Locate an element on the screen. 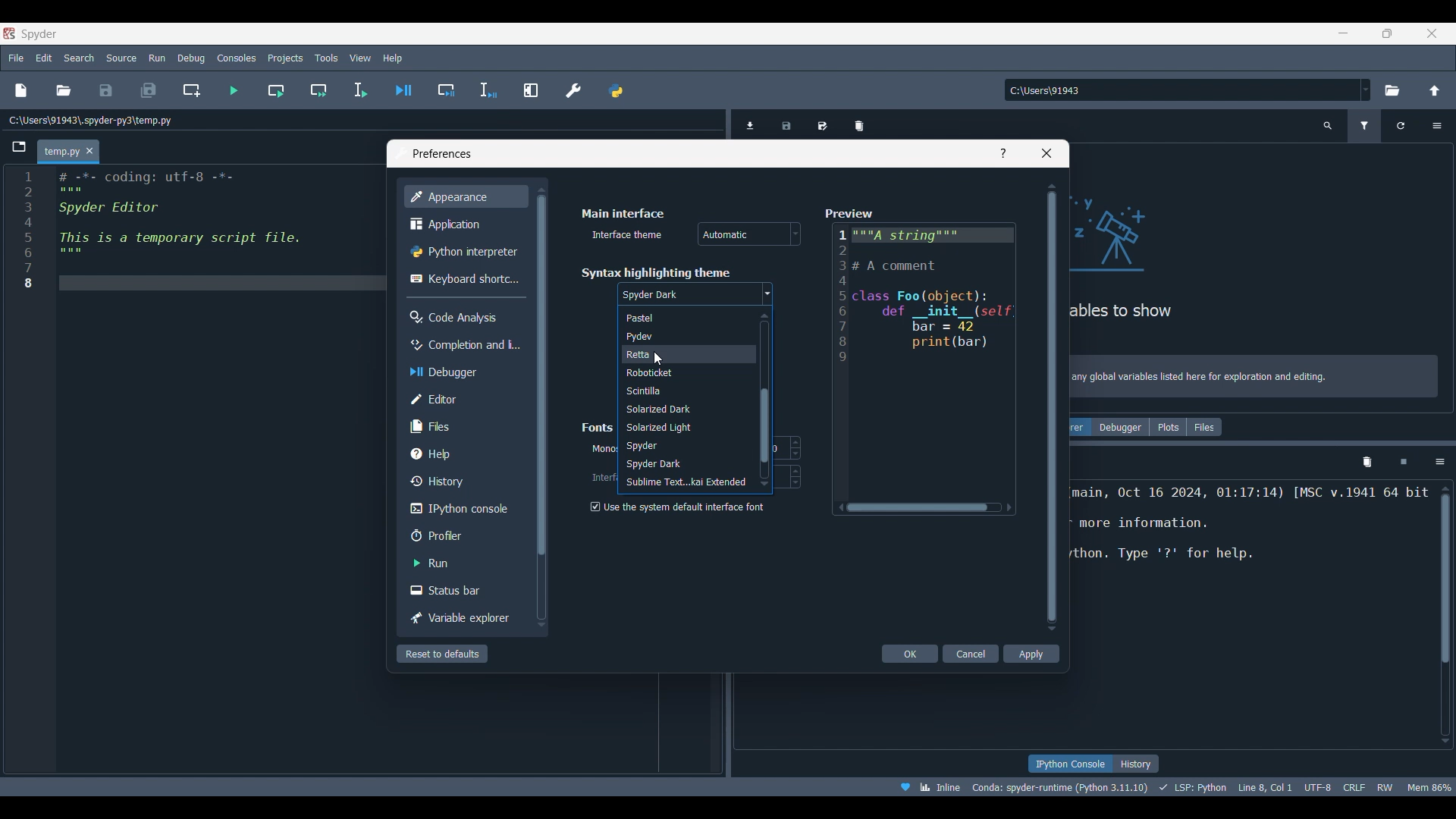  Refresh variables is located at coordinates (1401, 126).